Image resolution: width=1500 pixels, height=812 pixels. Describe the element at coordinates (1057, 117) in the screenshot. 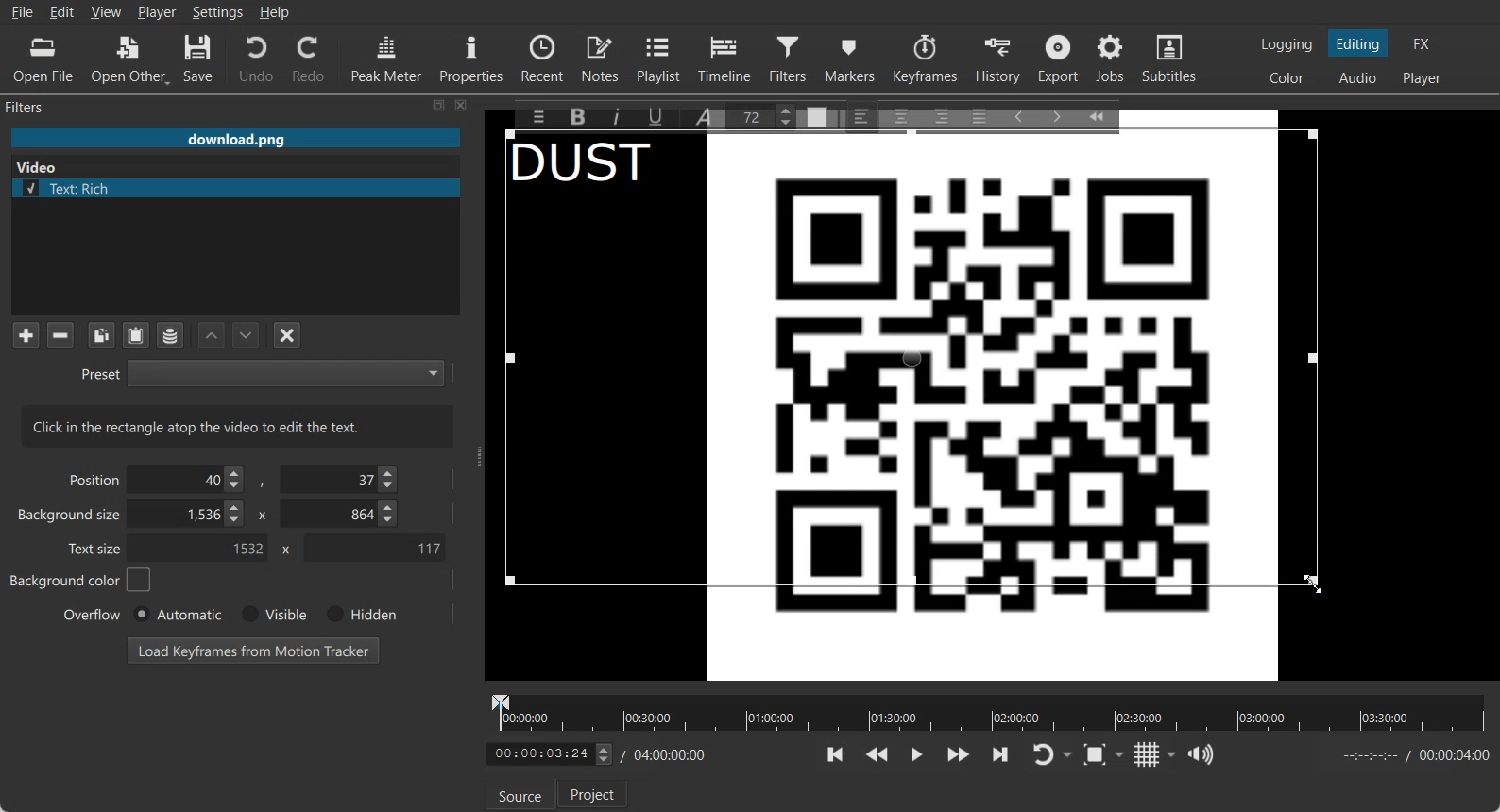

I see `Insert Indent` at that location.